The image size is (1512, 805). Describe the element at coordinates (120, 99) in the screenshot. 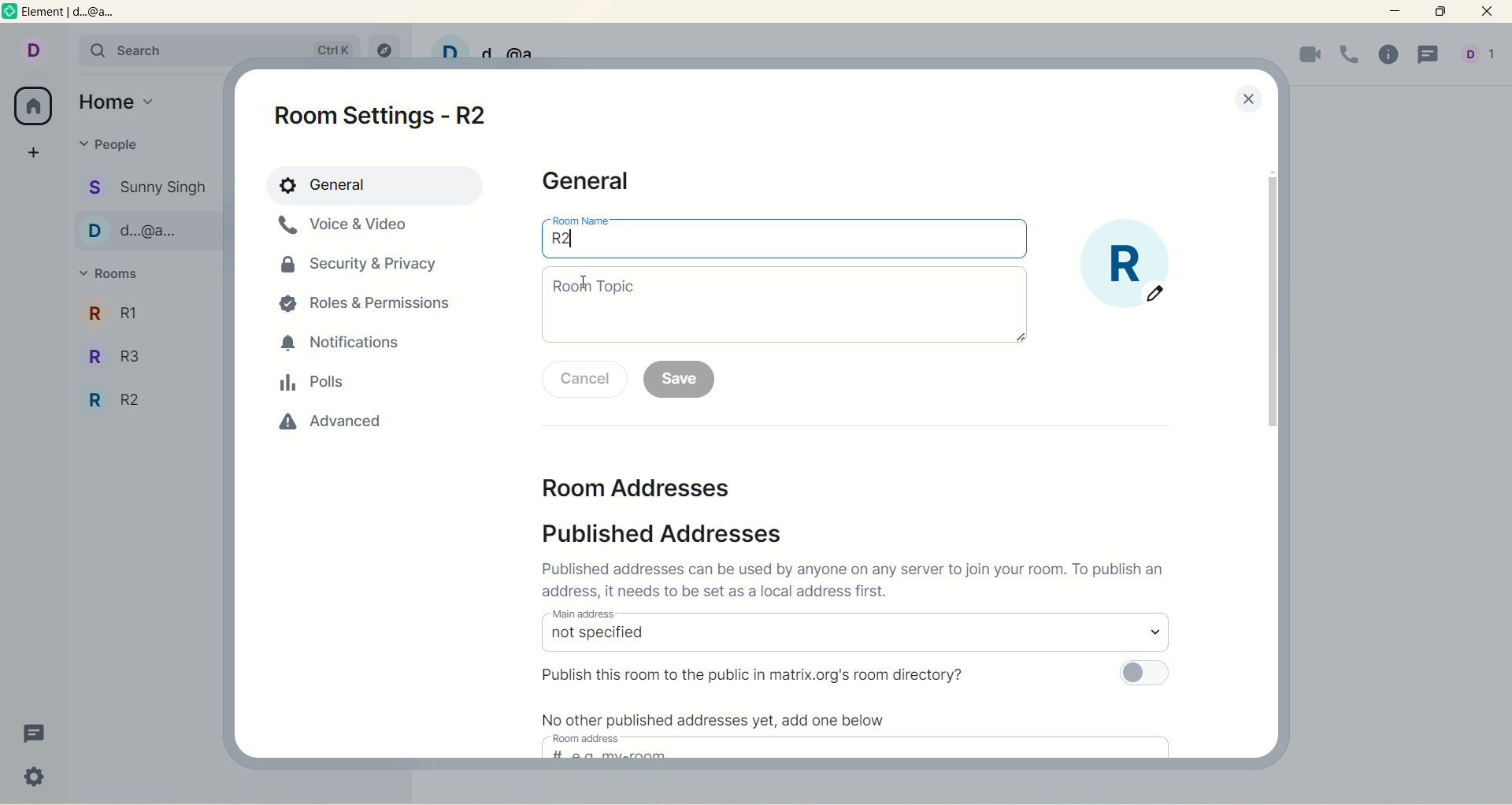

I see `home` at that location.